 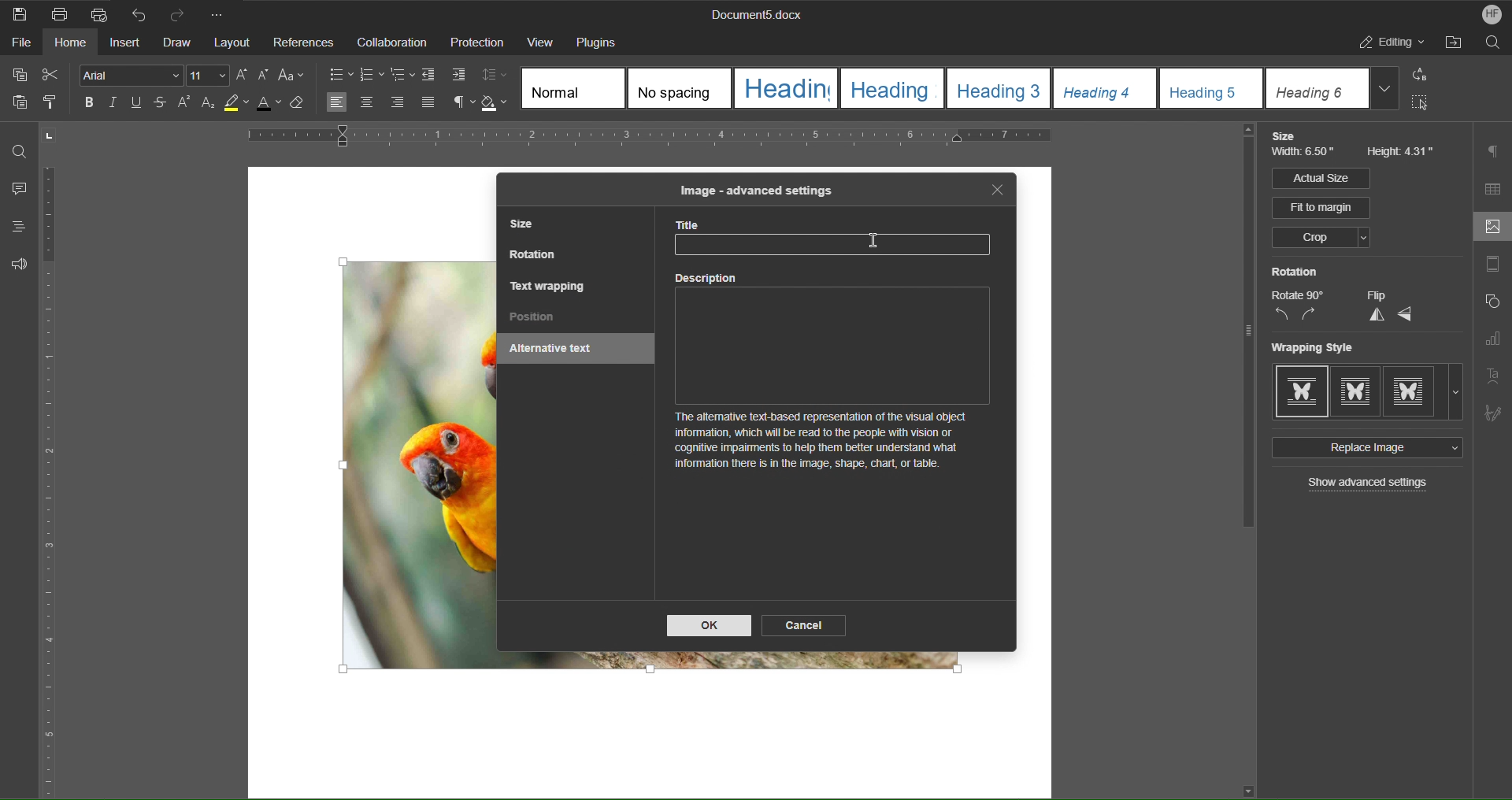 What do you see at coordinates (1493, 45) in the screenshot?
I see `Search` at bounding box center [1493, 45].